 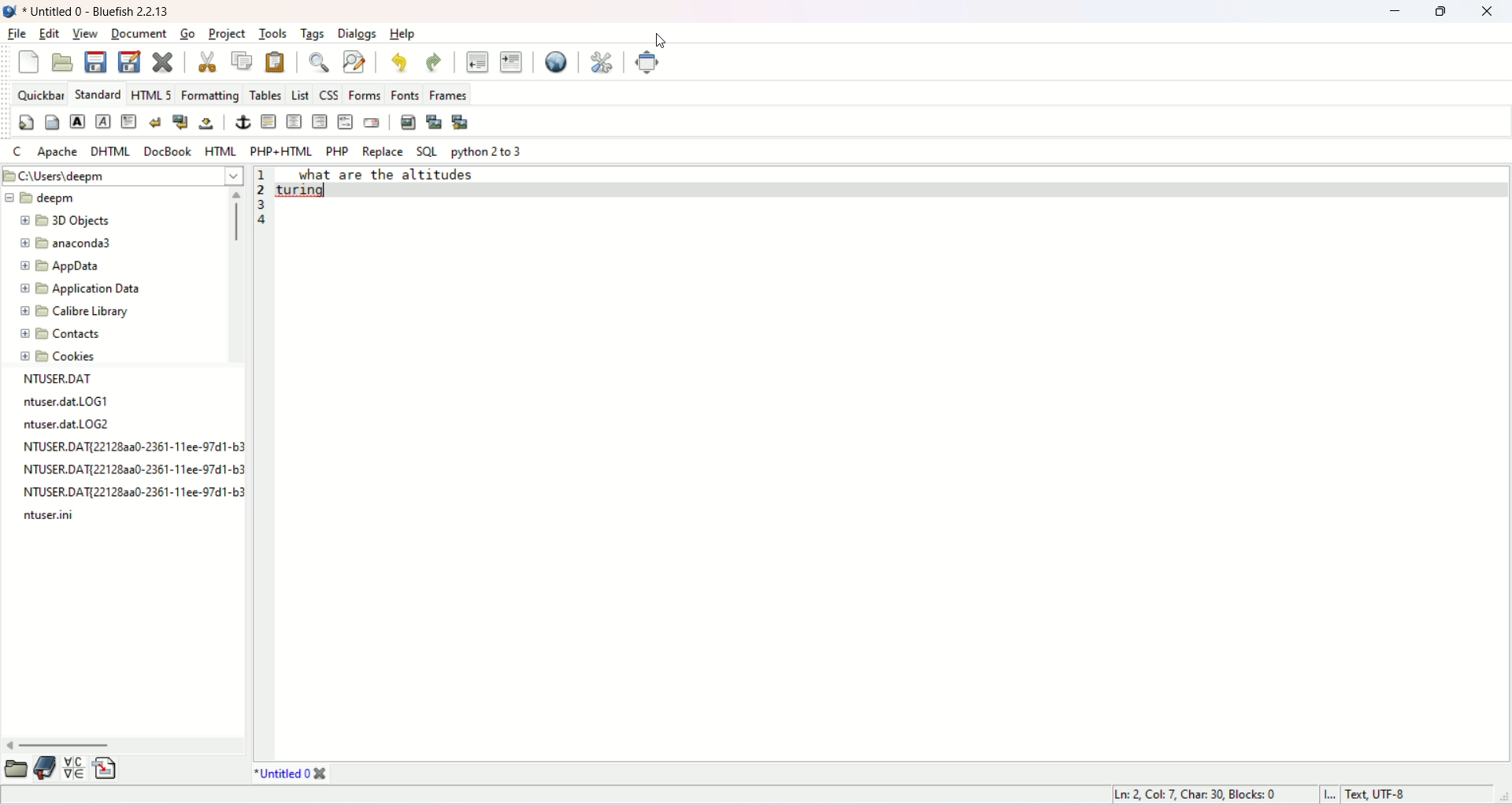 What do you see at coordinates (407, 187) in the screenshot?
I see `text` at bounding box center [407, 187].